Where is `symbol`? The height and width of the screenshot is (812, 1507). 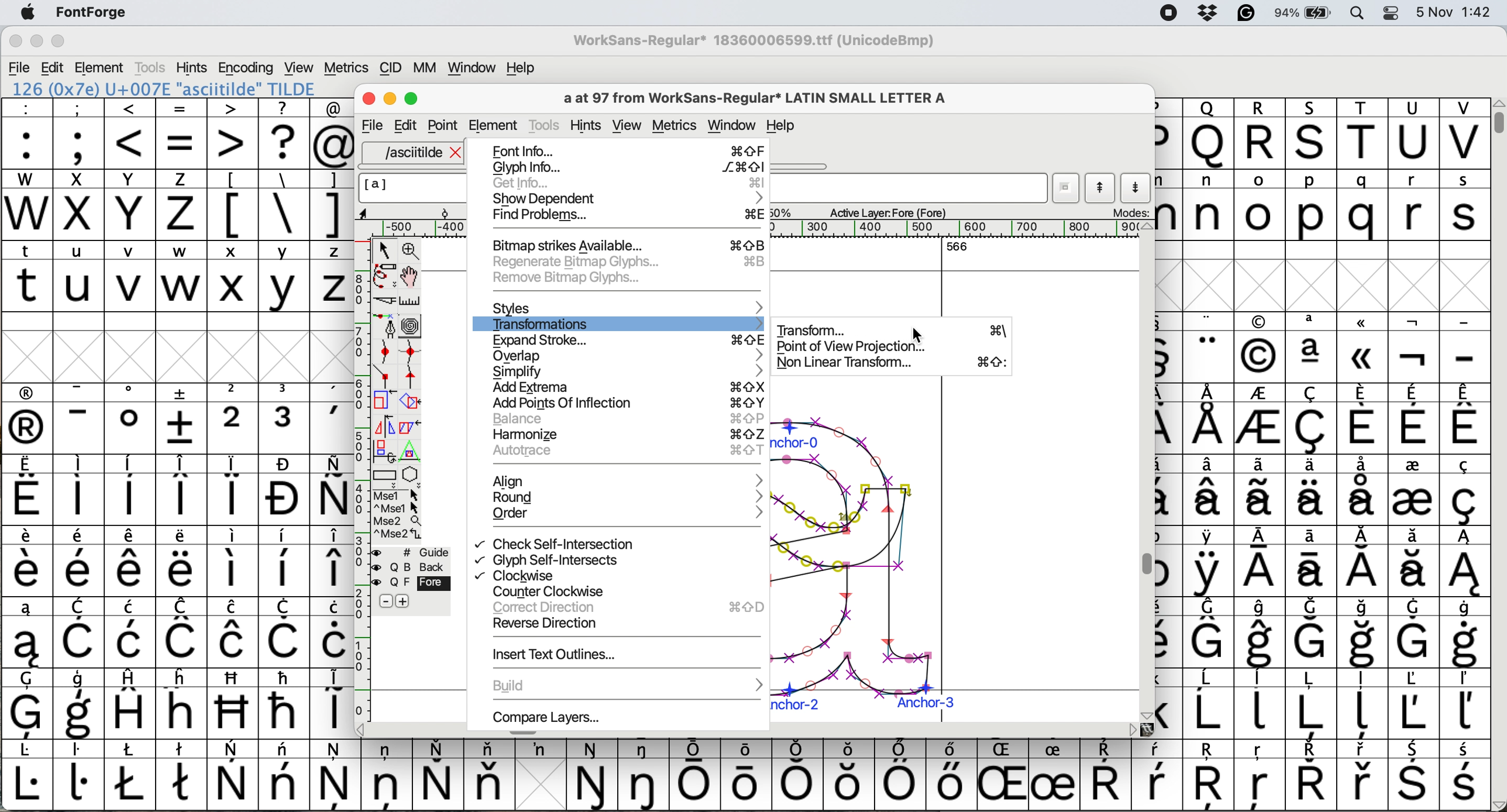
symbol is located at coordinates (1312, 633).